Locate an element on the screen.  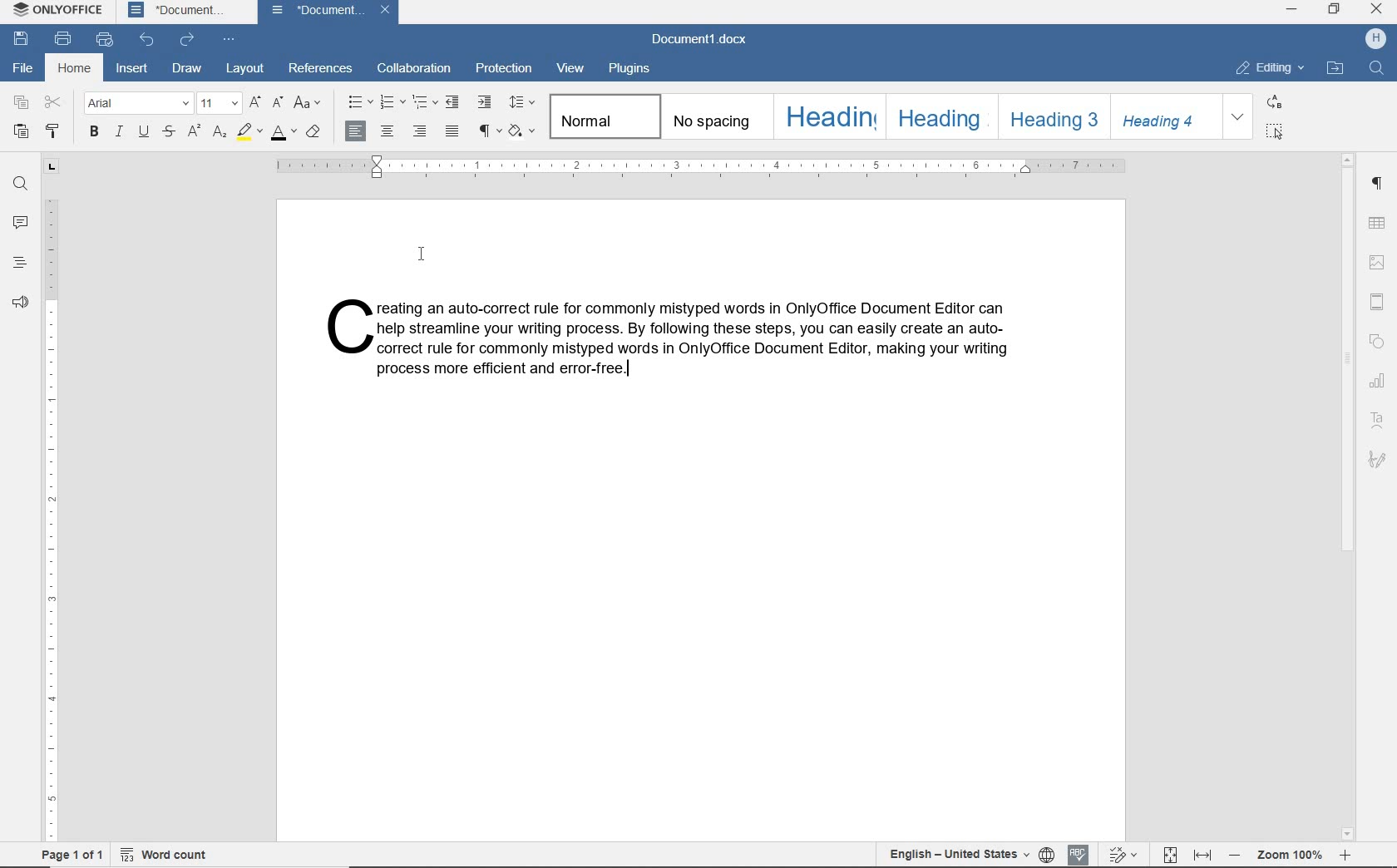
HOME is located at coordinates (72, 69).